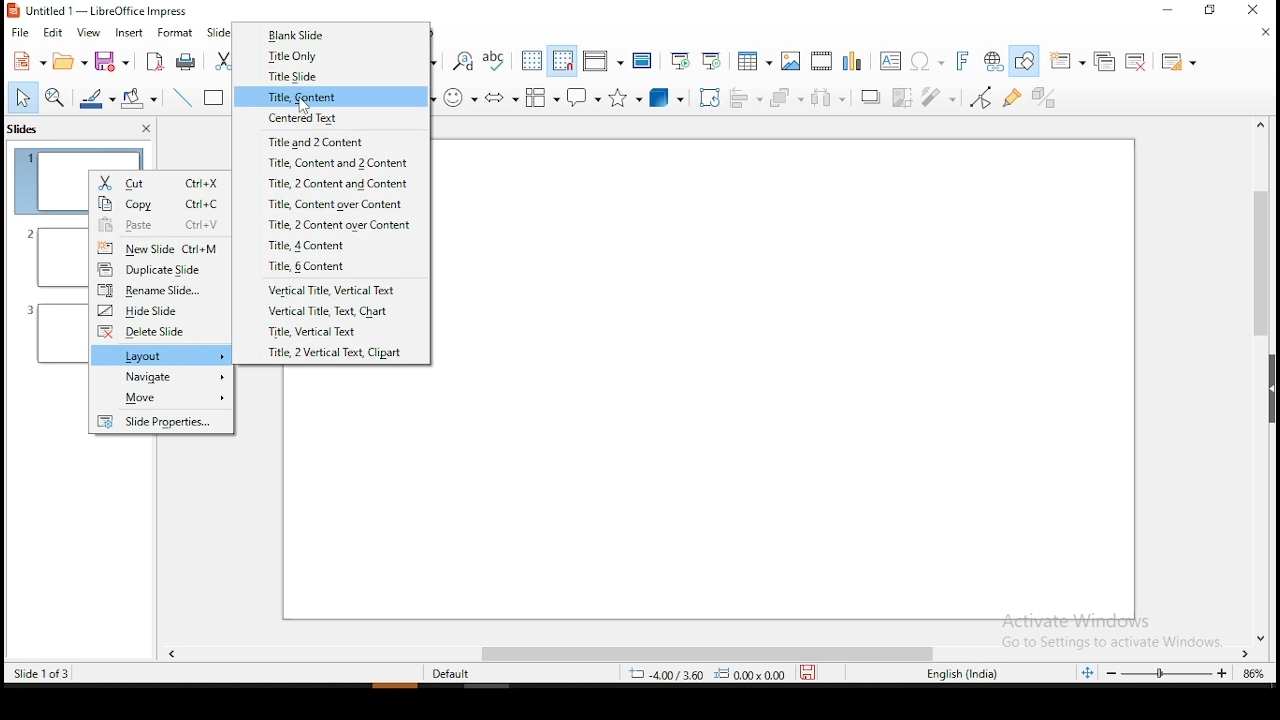  I want to click on copy, so click(162, 203).